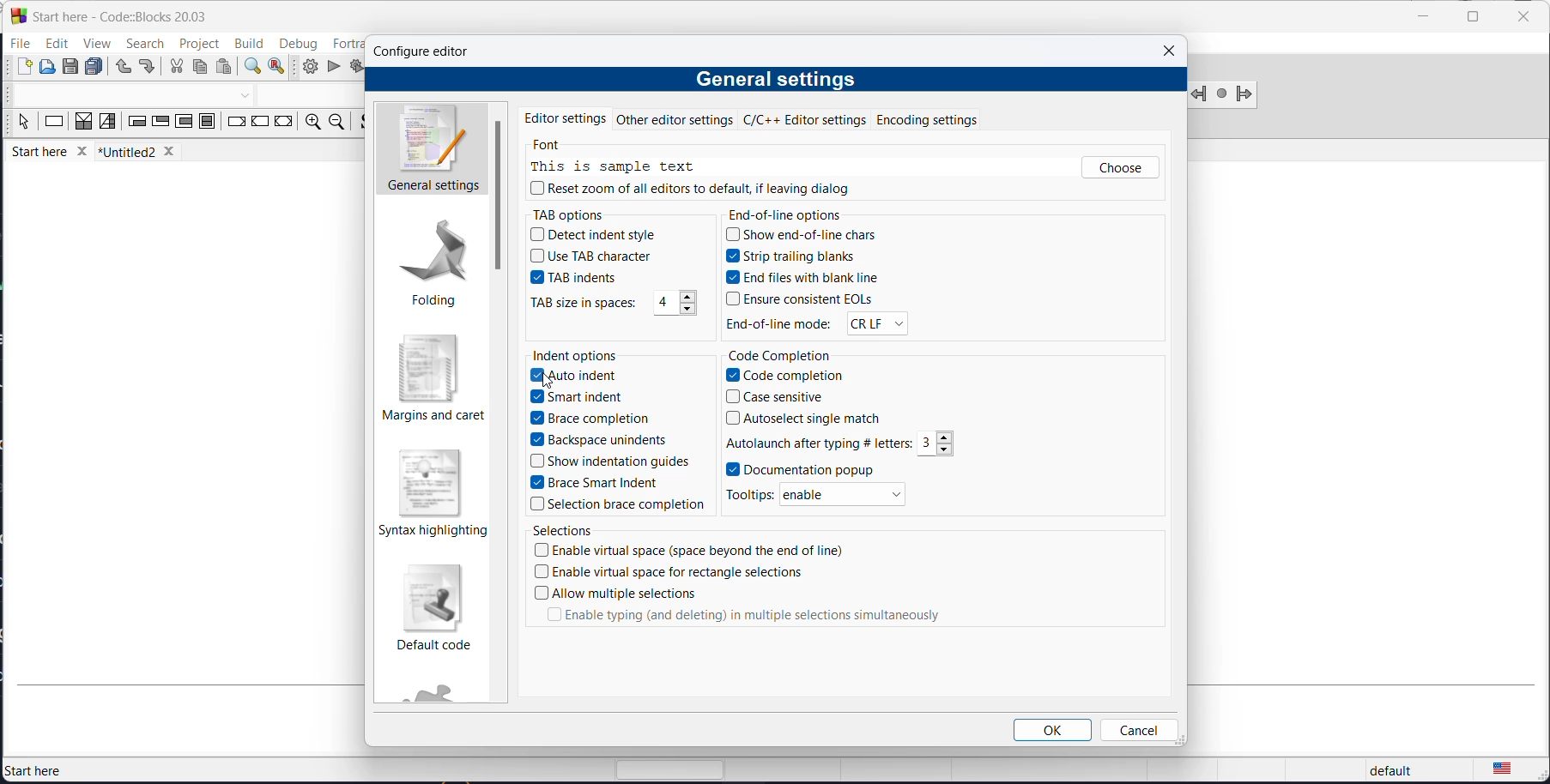 This screenshot has width=1550, height=784. I want to click on reset zoom checkbox, so click(685, 187).